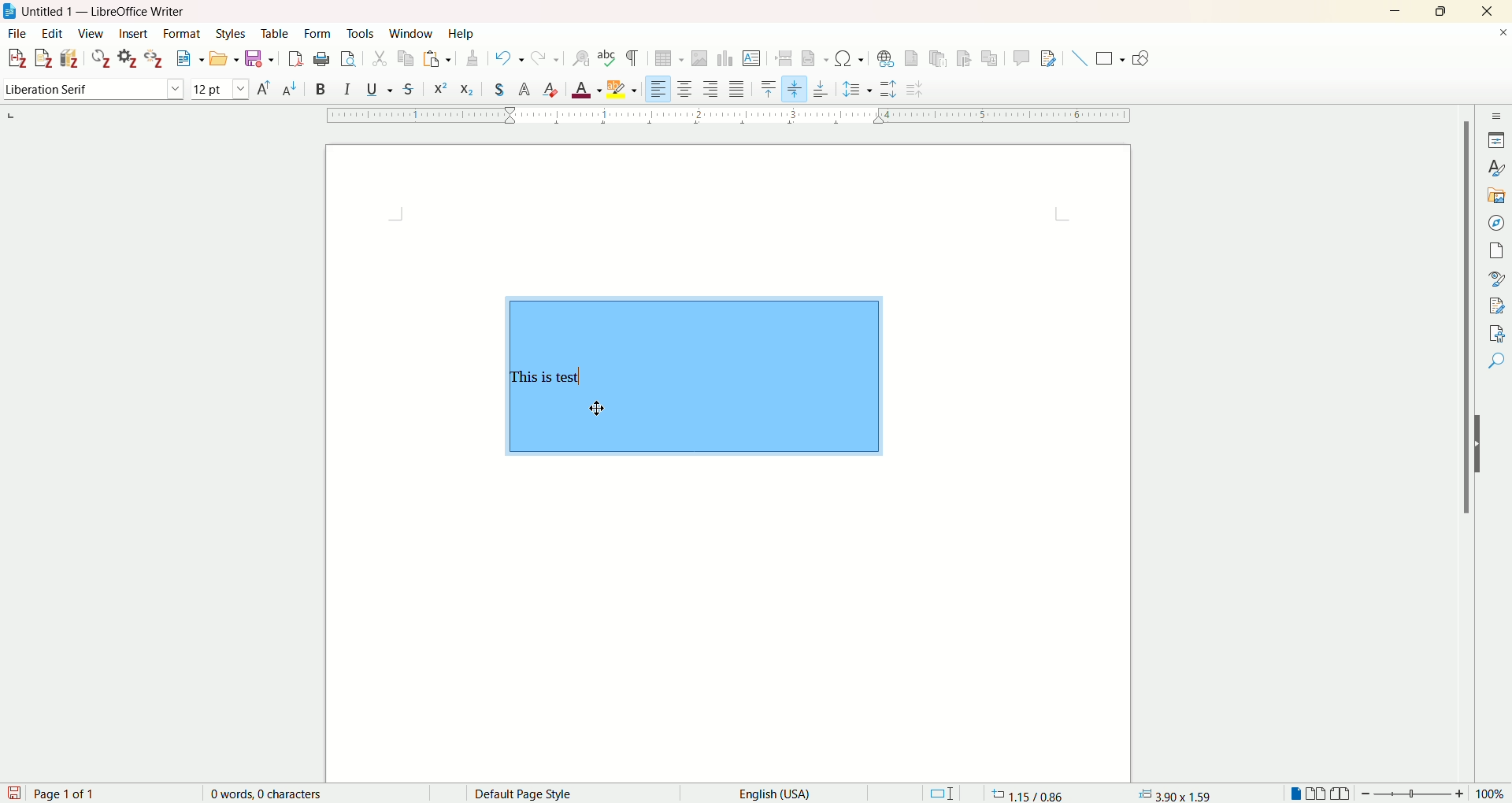 This screenshot has width=1512, height=803. What do you see at coordinates (271, 794) in the screenshot?
I see `0 words, 0 characters` at bounding box center [271, 794].